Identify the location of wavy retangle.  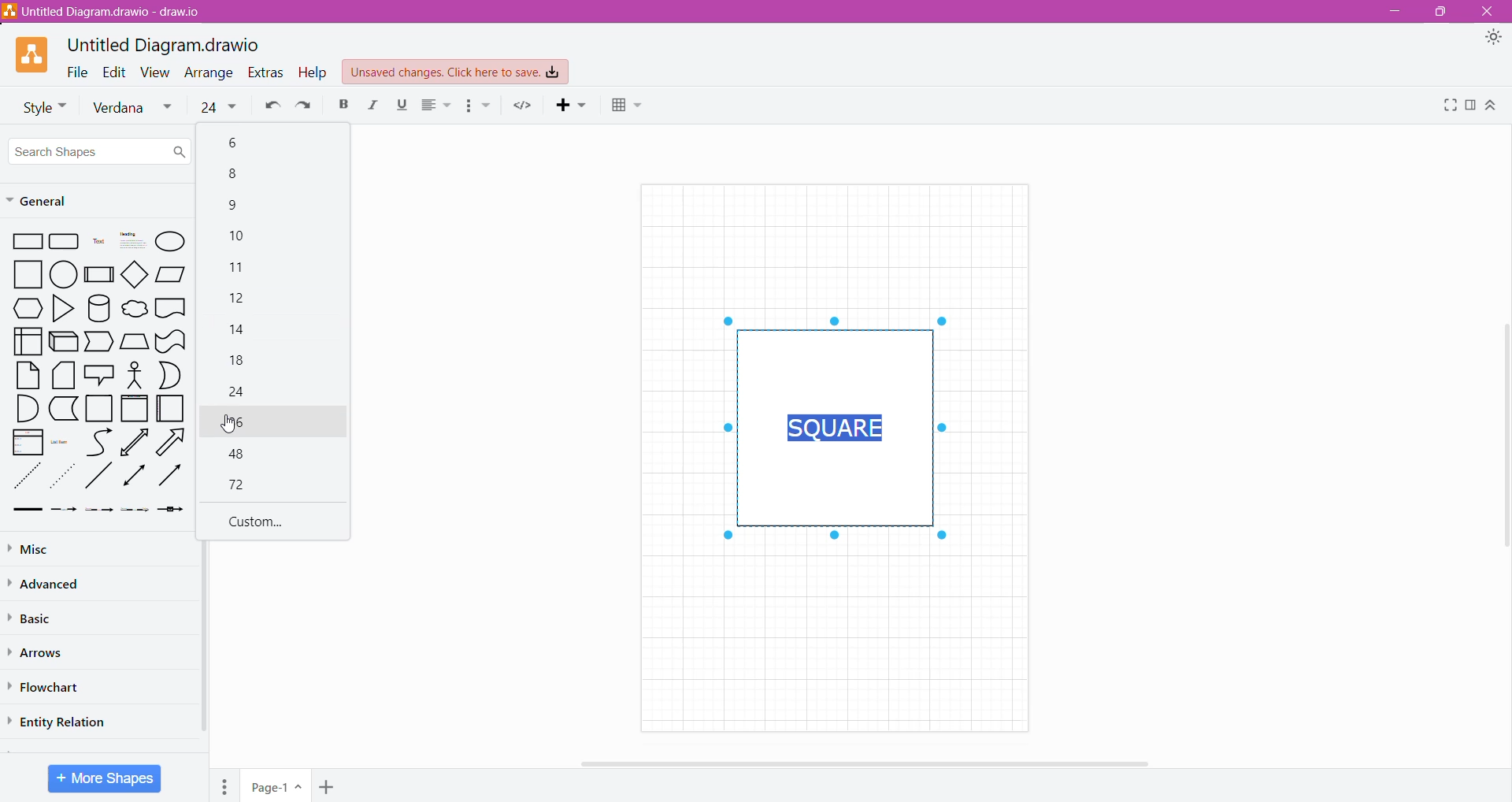
(172, 340).